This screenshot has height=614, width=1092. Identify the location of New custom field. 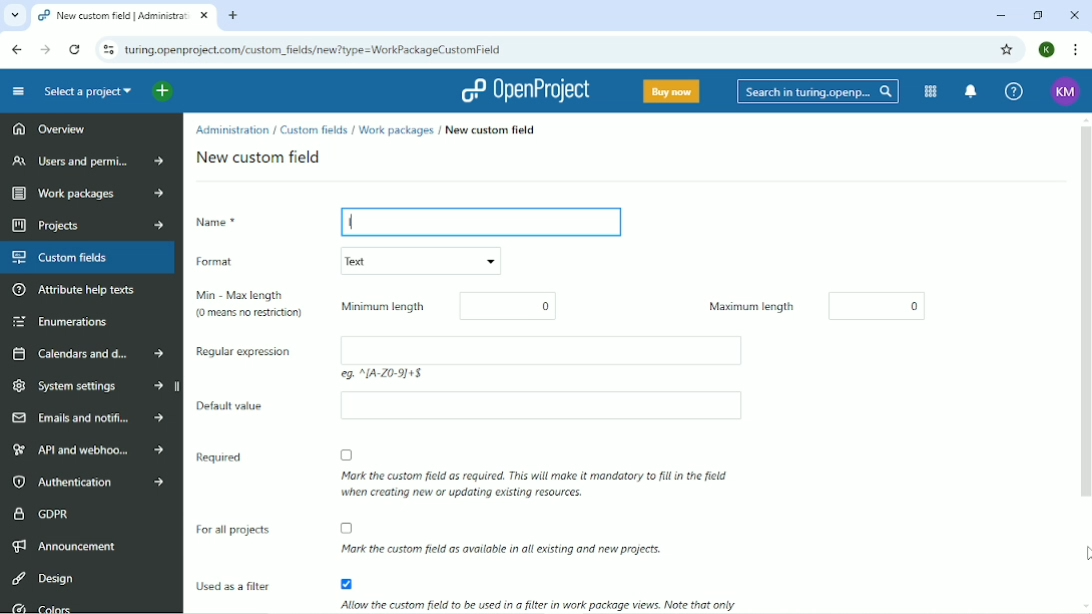
(491, 129).